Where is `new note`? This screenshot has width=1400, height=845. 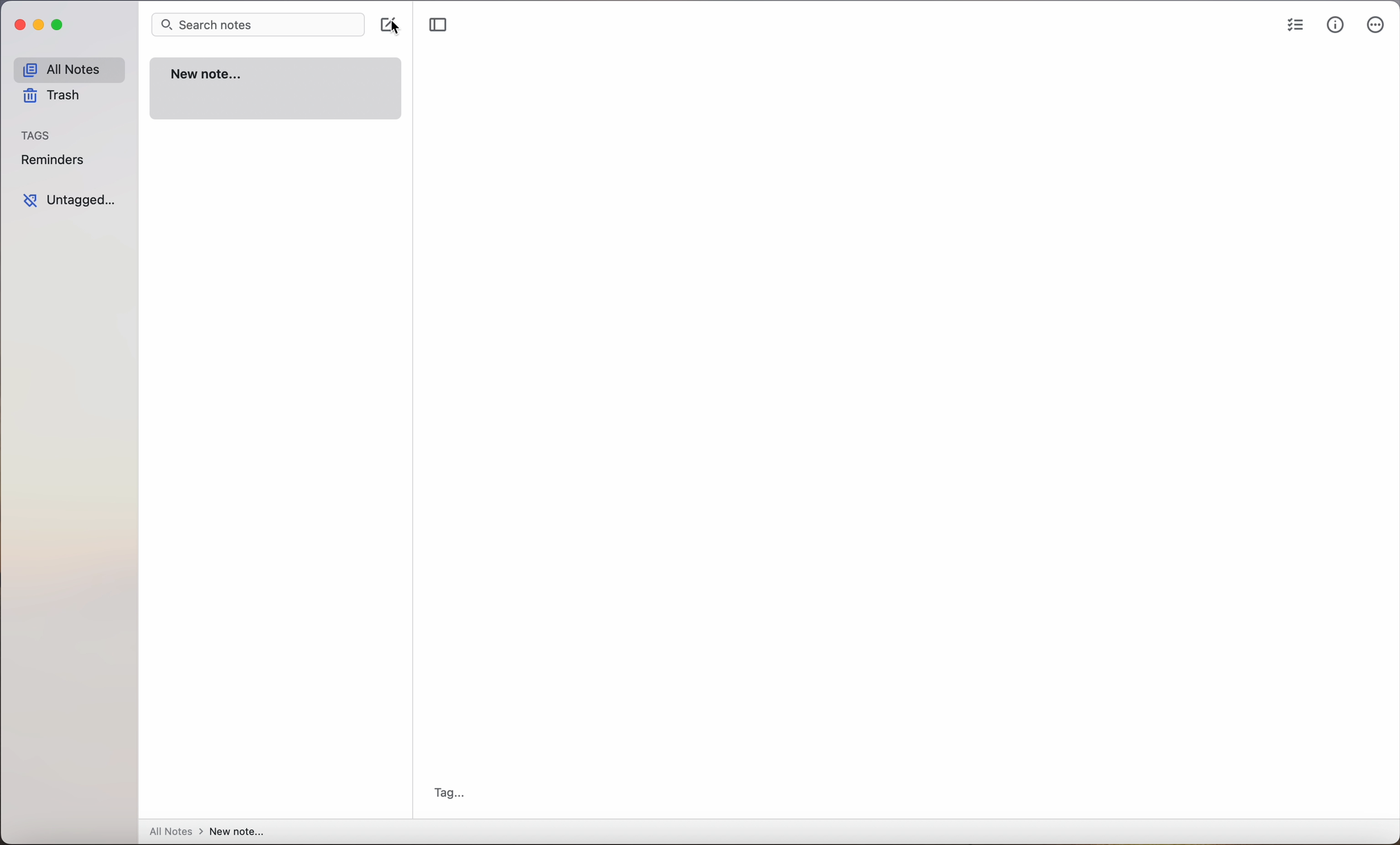
new note is located at coordinates (277, 89).